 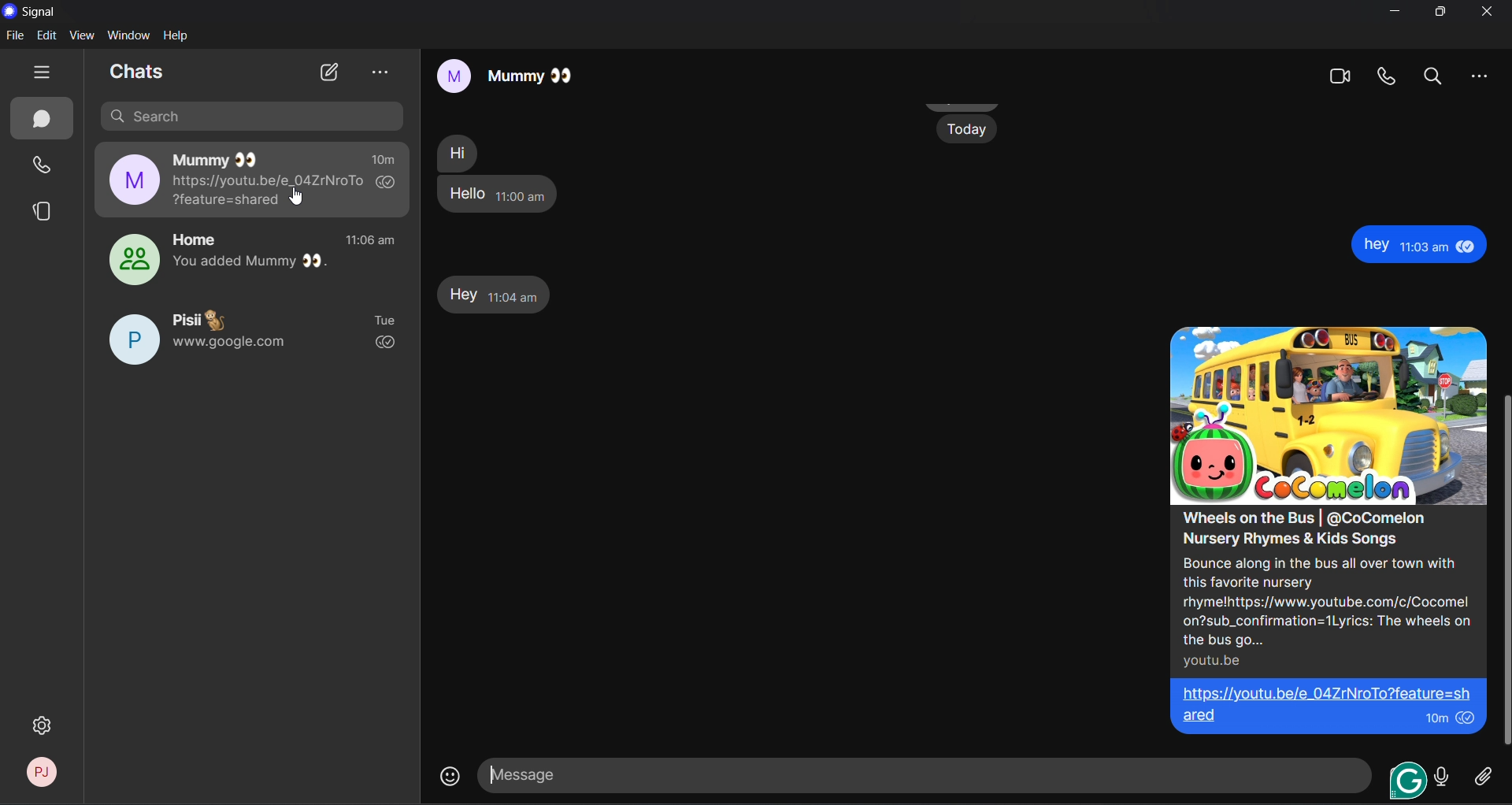 What do you see at coordinates (298, 197) in the screenshot?
I see `cursor` at bounding box center [298, 197].